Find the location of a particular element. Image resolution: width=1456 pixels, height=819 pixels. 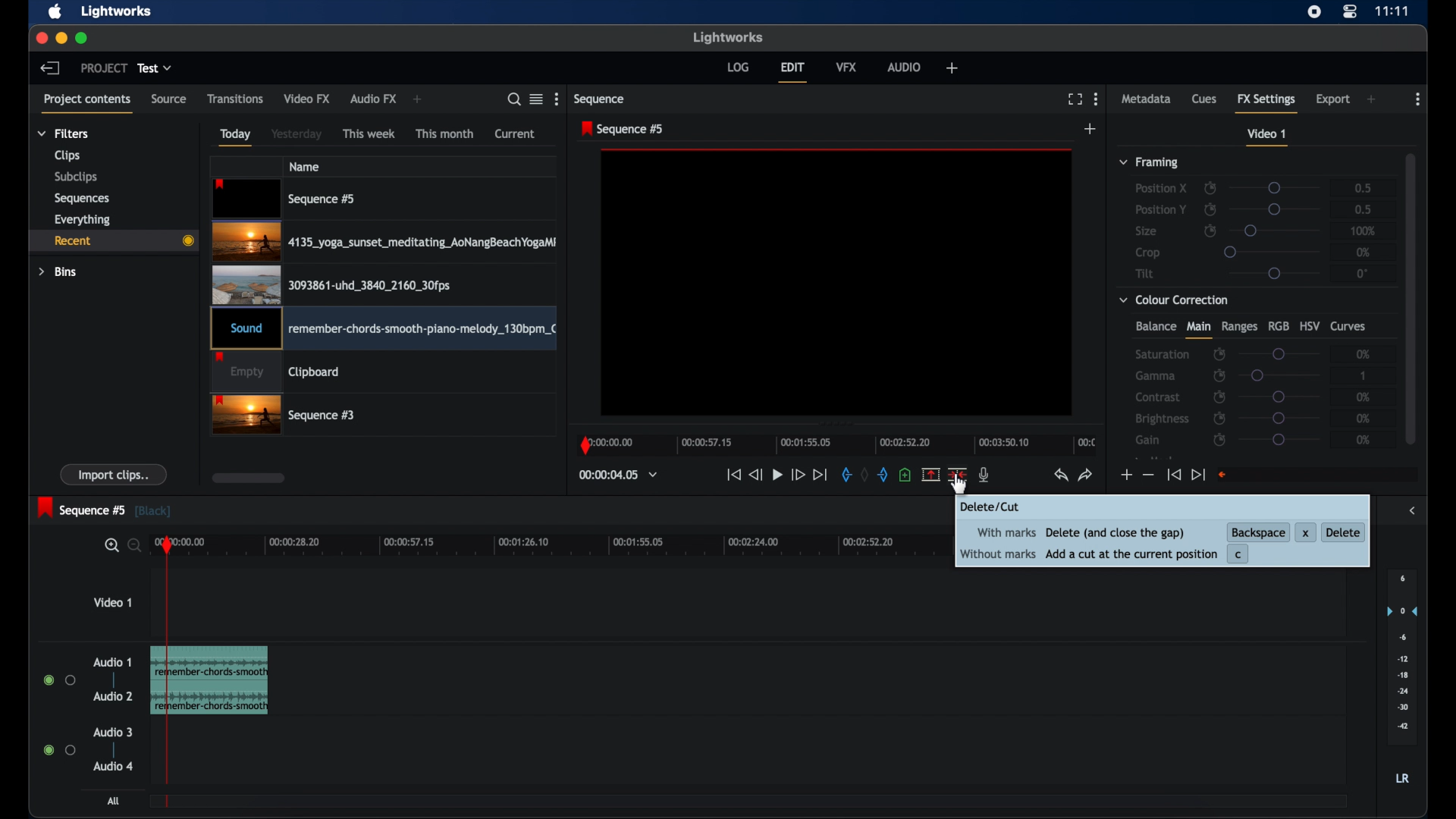

recent is located at coordinates (111, 240).